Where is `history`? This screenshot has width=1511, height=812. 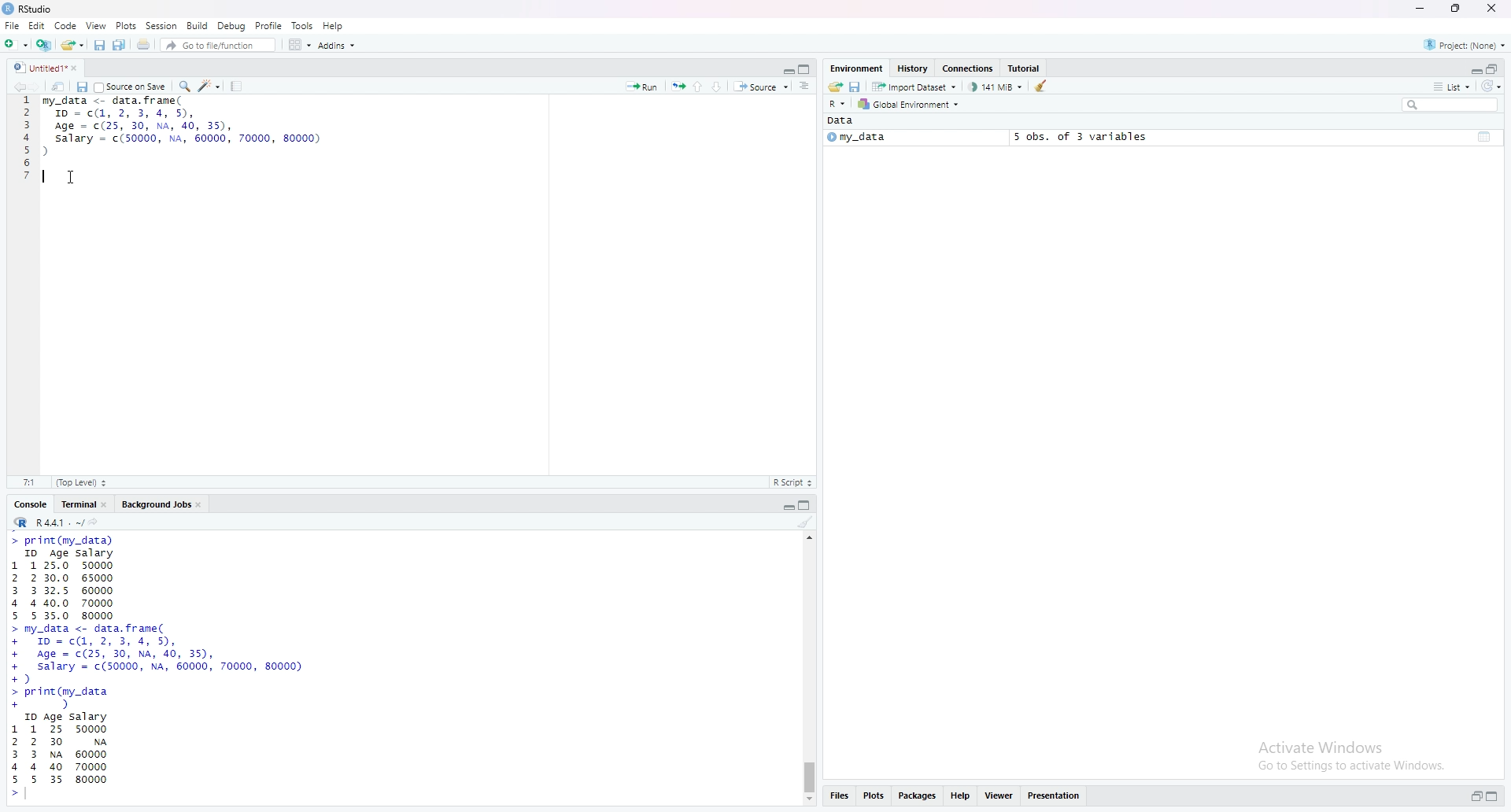
history is located at coordinates (913, 68).